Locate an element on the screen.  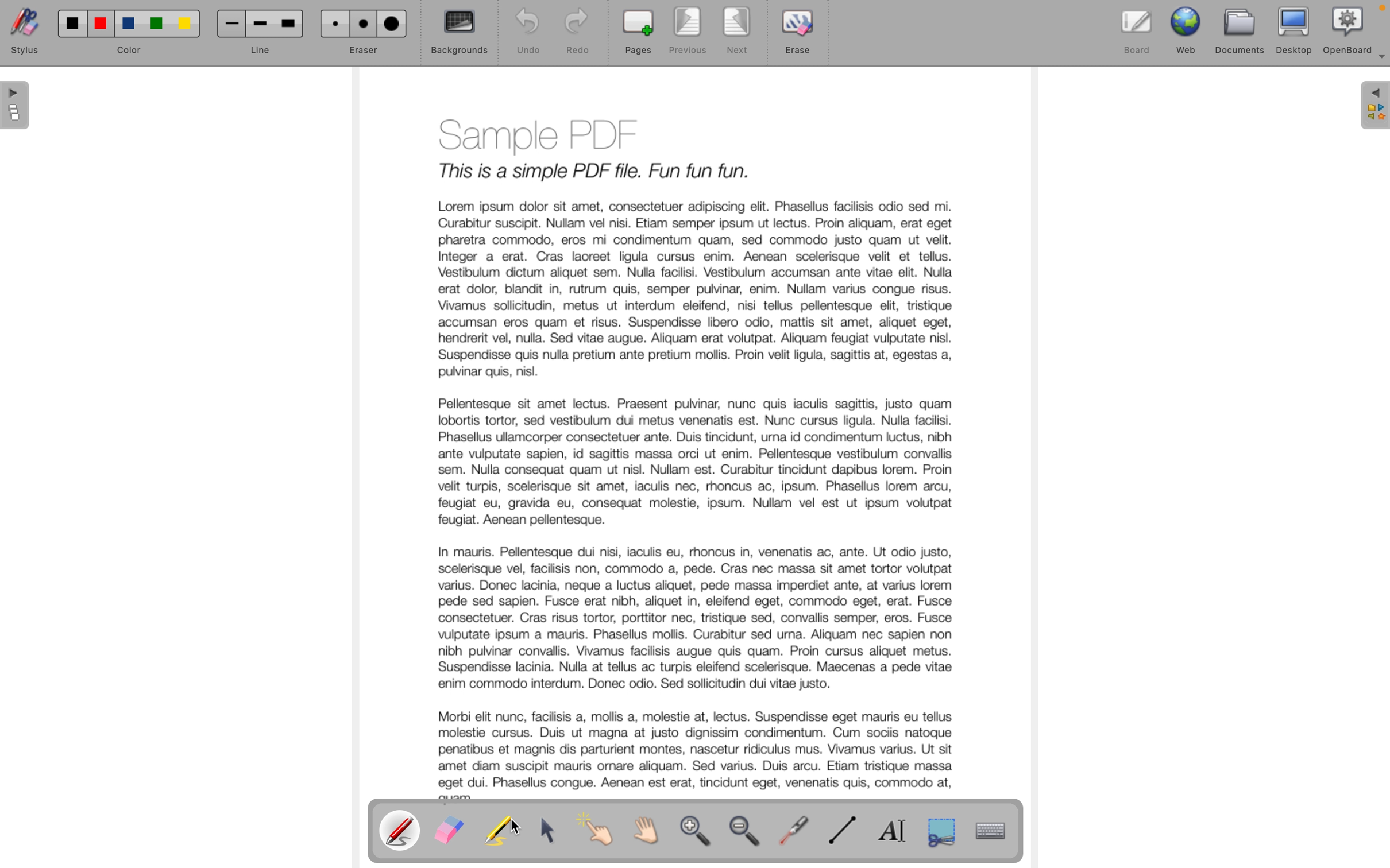
interact with items is located at coordinates (601, 835).